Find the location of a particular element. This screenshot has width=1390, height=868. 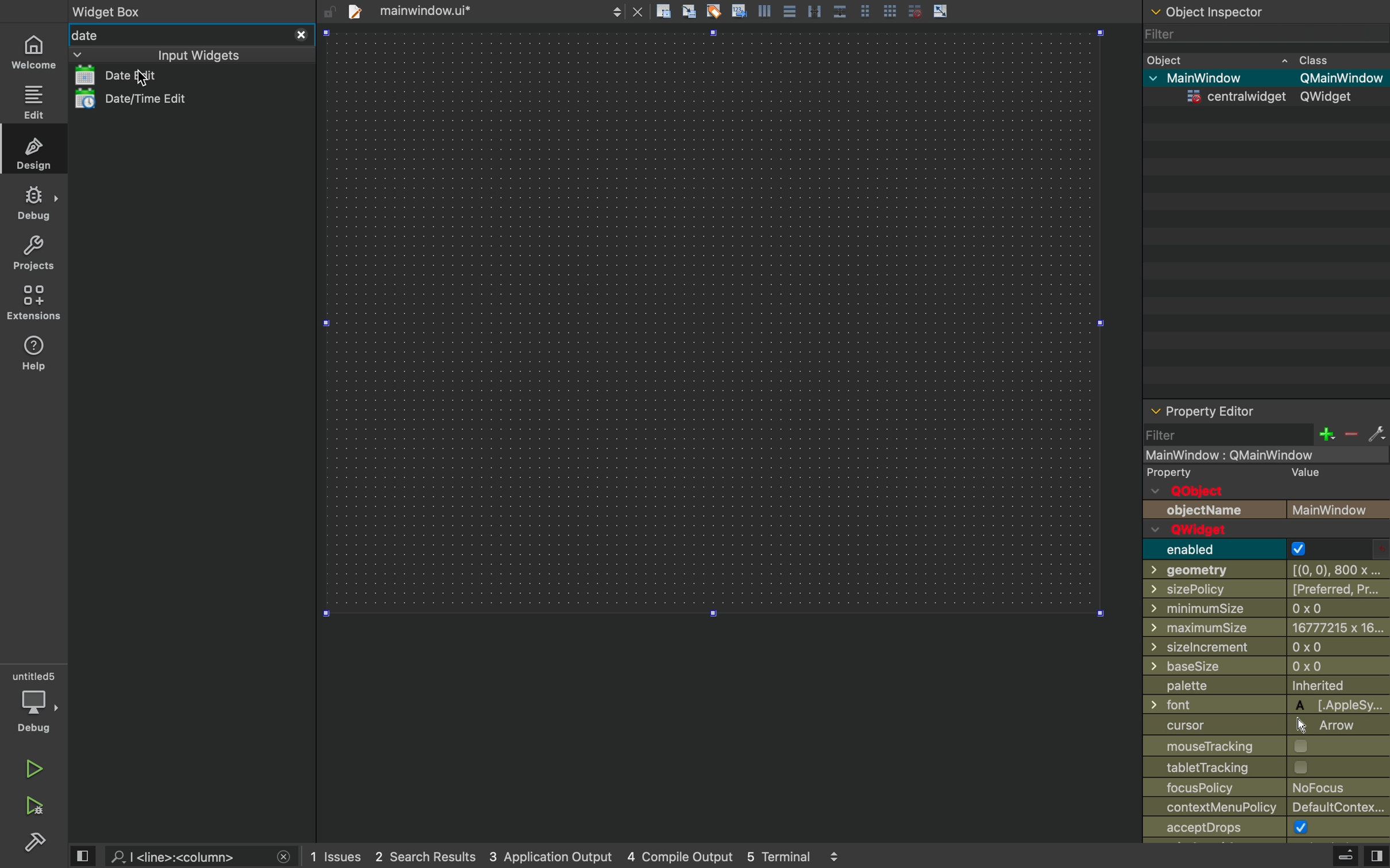

close is located at coordinates (638, 10).